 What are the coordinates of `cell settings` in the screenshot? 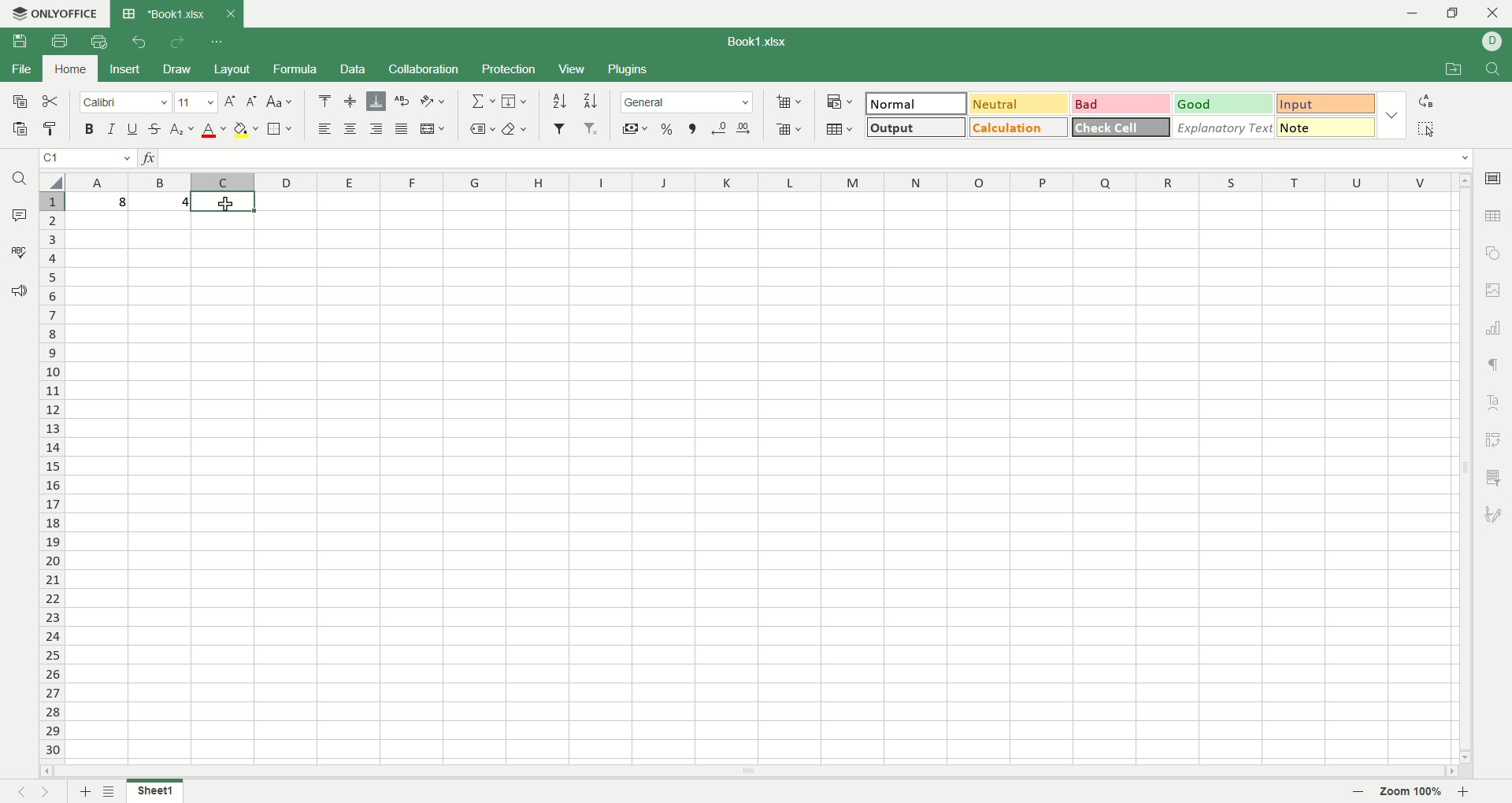 It's located at (1493, 177).